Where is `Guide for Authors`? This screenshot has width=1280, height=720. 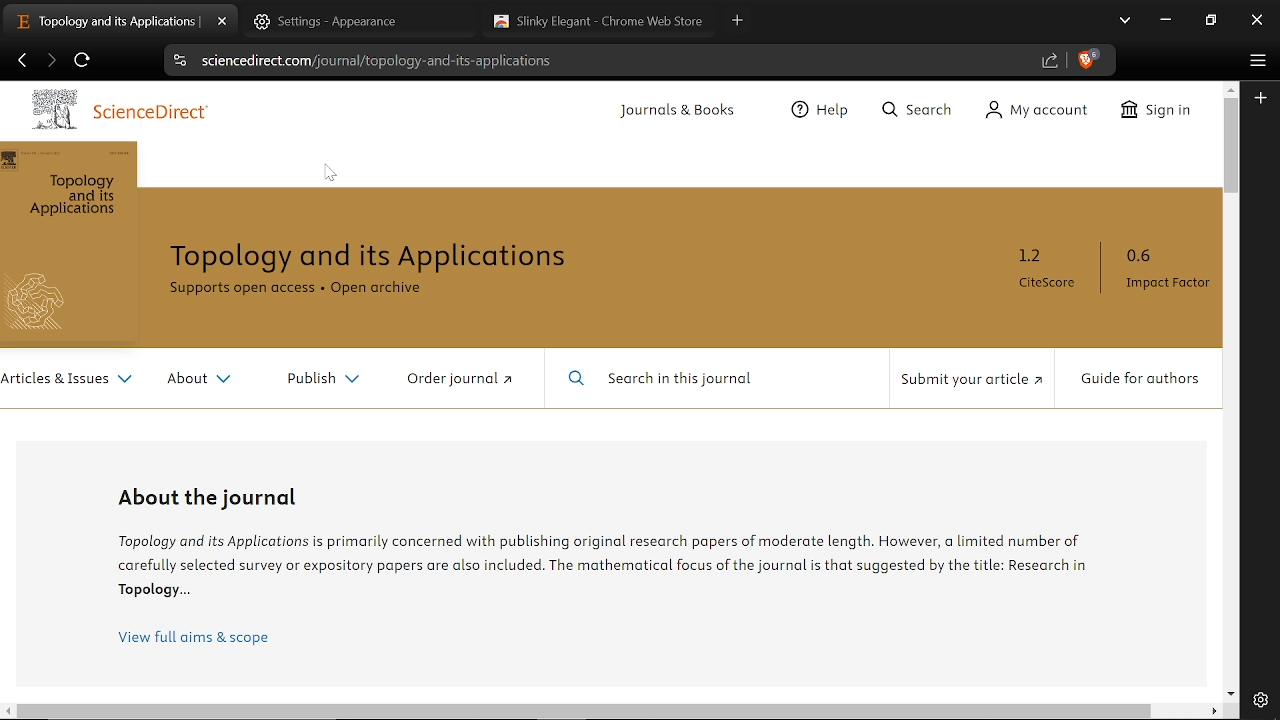 Guide for Authors is located at coordinates (1137, 381).